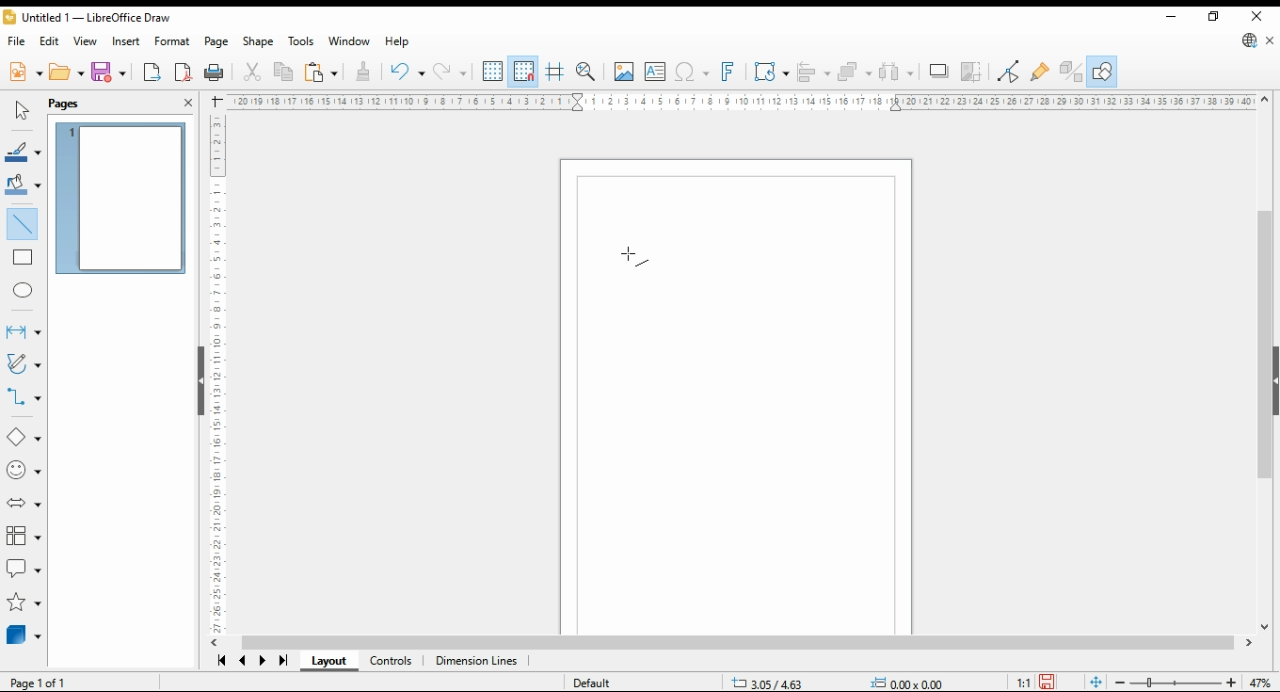 The height and width of the screenshot is (692, 1280). I want to click on 1:1, so click(1022, 682).